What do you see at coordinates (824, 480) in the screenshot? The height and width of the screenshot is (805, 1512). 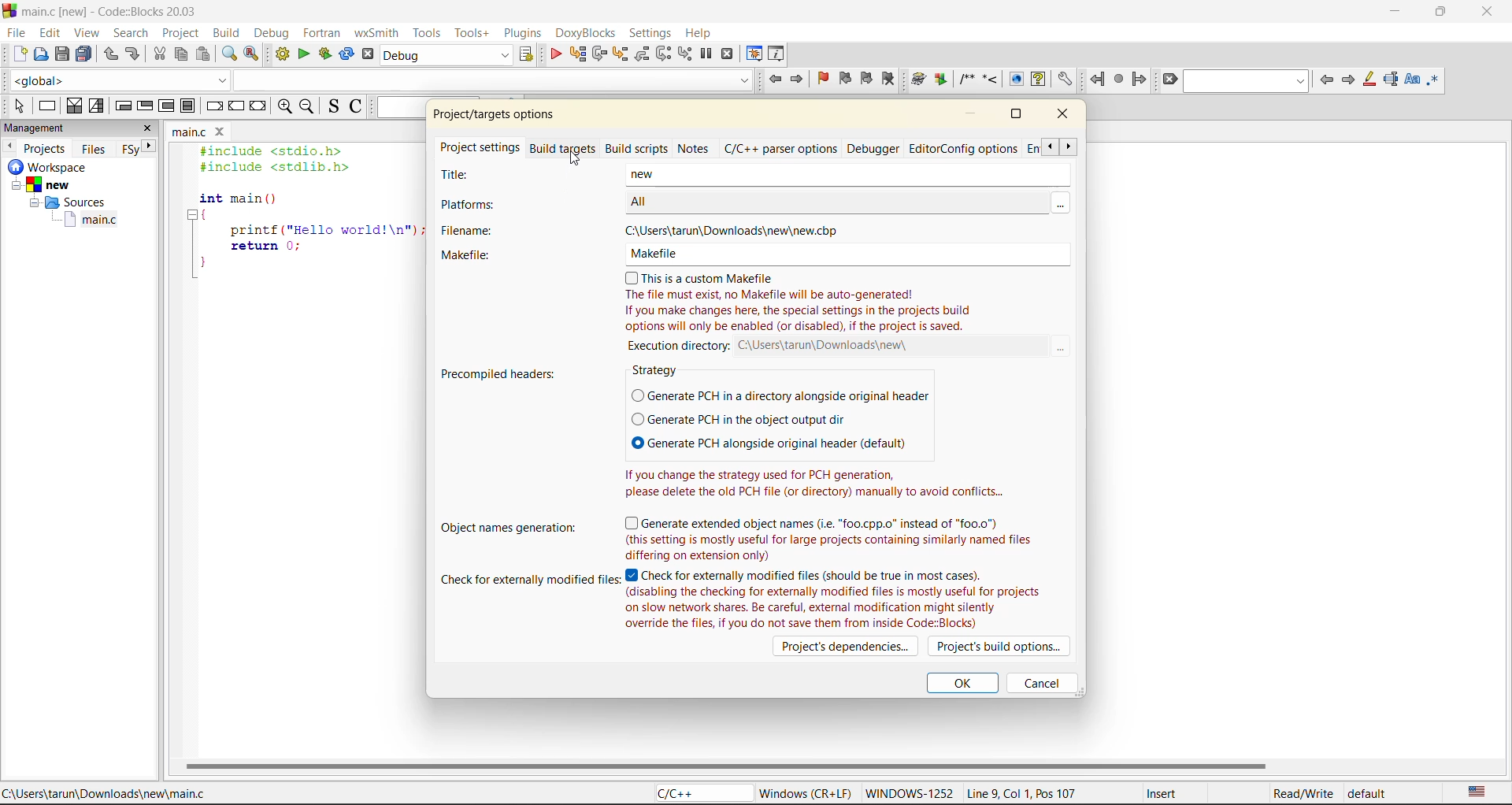 I see `If you change the strategy used for PCH generation,
please delete the old PCH file (or directory) manually to avoid conflicts...` at bounding box center [824, 480].